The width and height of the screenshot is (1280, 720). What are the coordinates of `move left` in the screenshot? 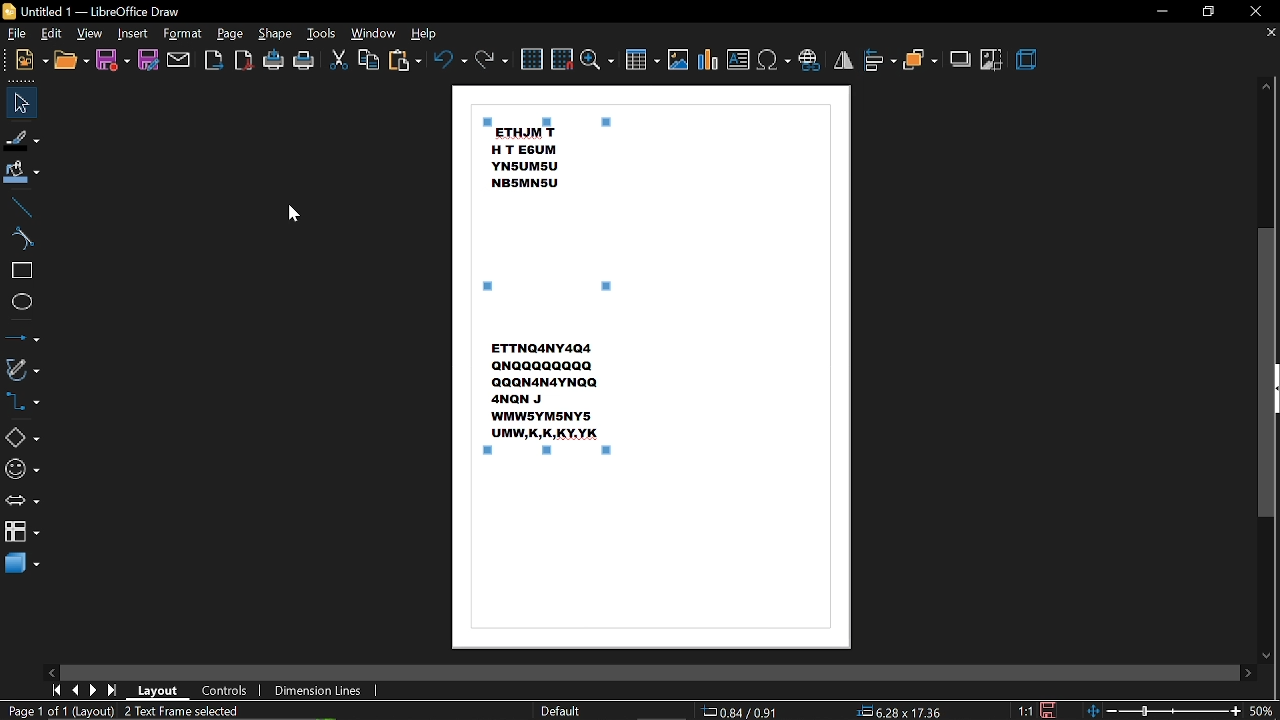 It's located at (51, 670).